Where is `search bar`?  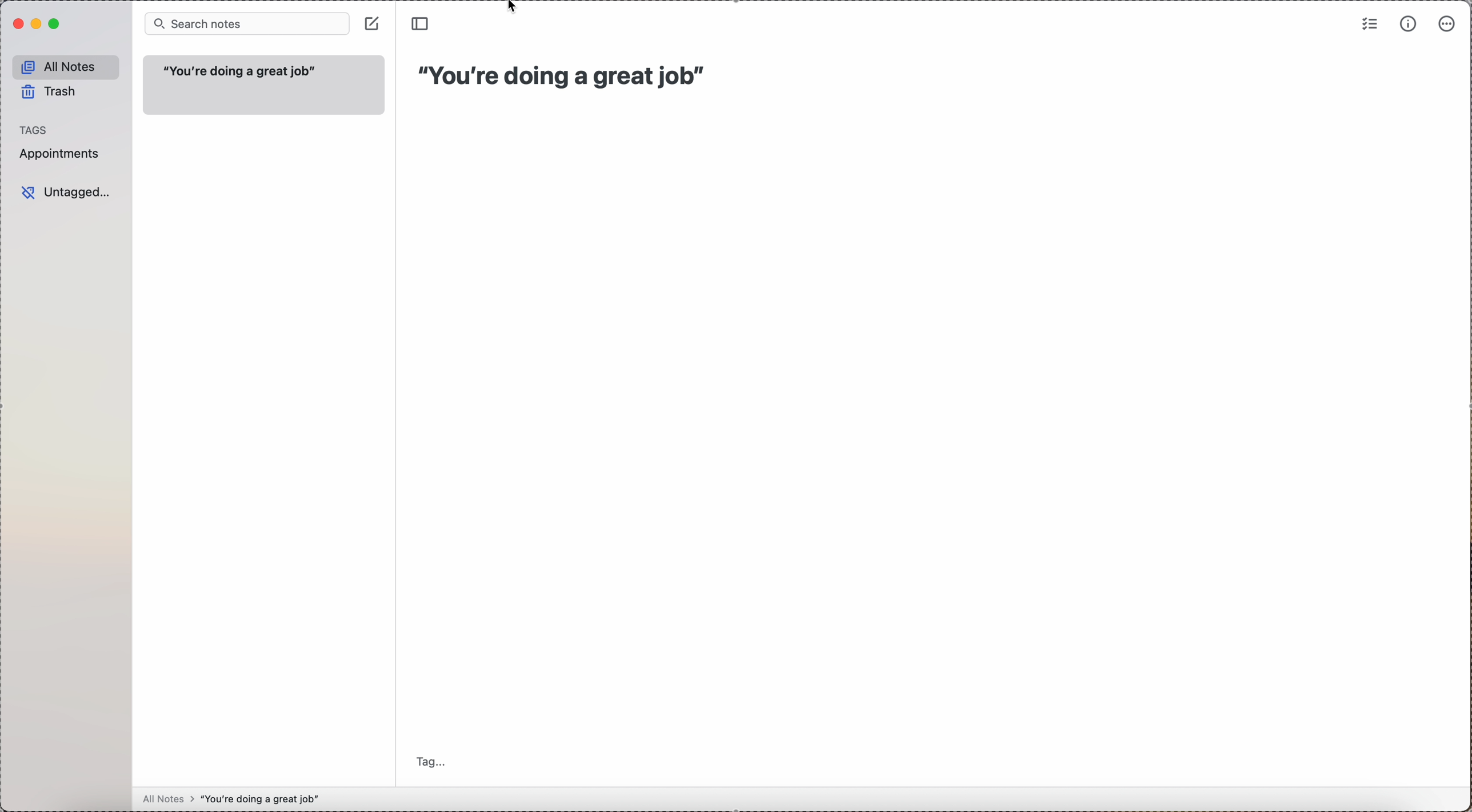
search bar is located at coordinates (245, 23).